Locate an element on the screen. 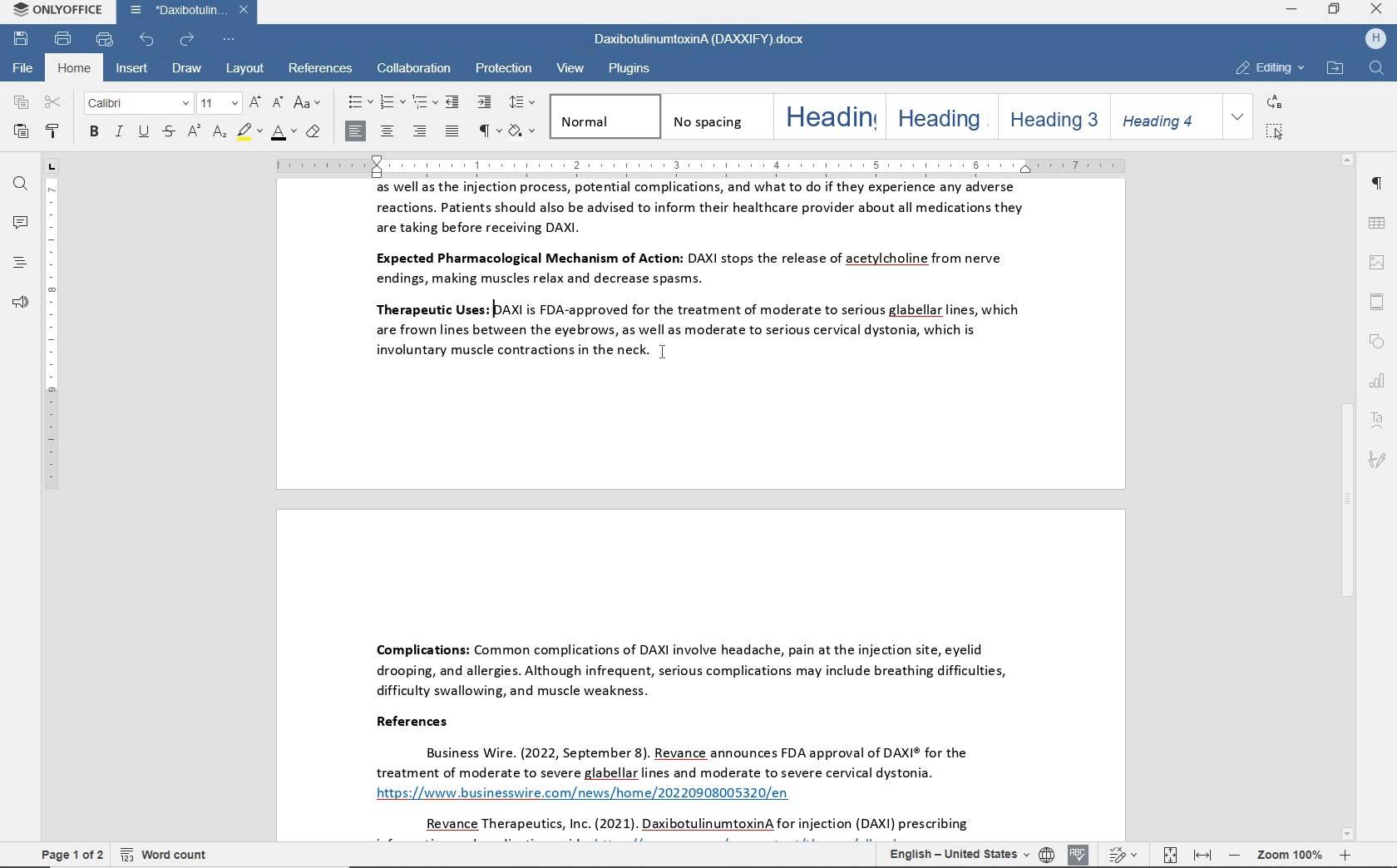  select all is located at coordinates (1275, 131).